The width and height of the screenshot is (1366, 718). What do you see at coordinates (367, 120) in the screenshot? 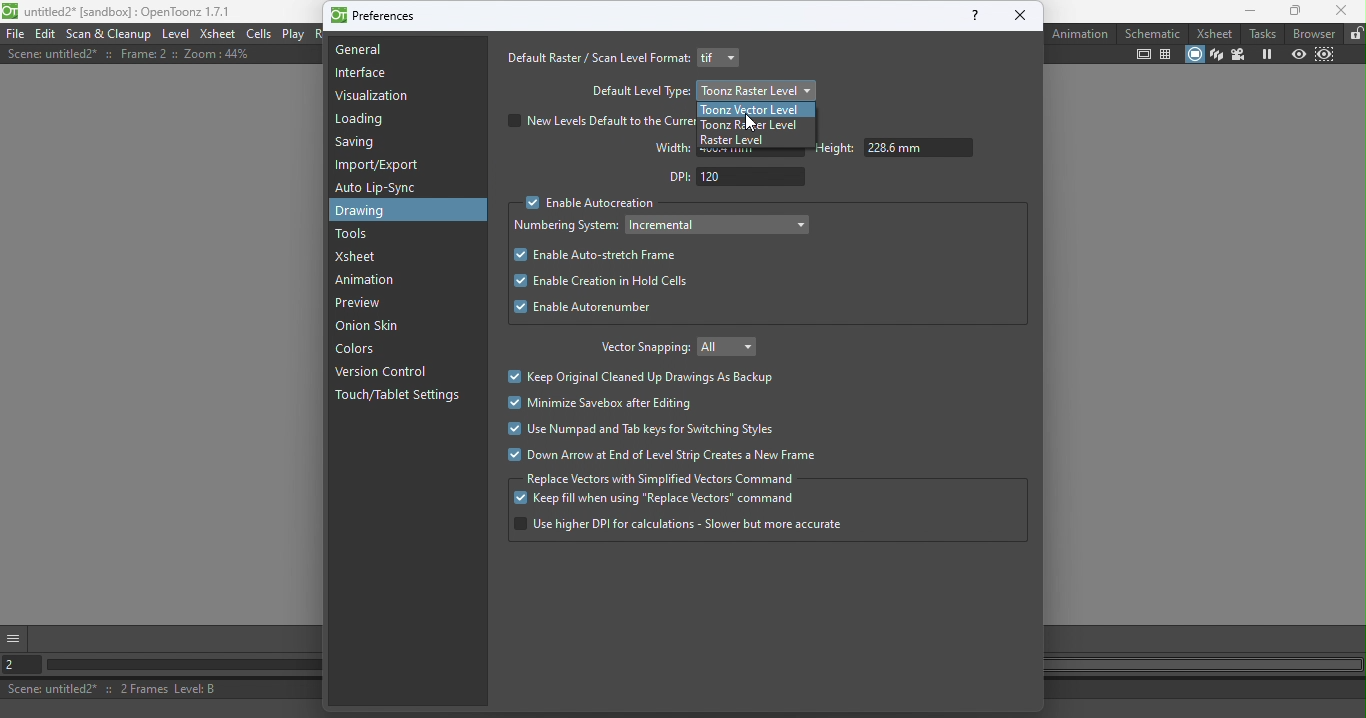
I see `Loading` at bounding box center [367, 120].